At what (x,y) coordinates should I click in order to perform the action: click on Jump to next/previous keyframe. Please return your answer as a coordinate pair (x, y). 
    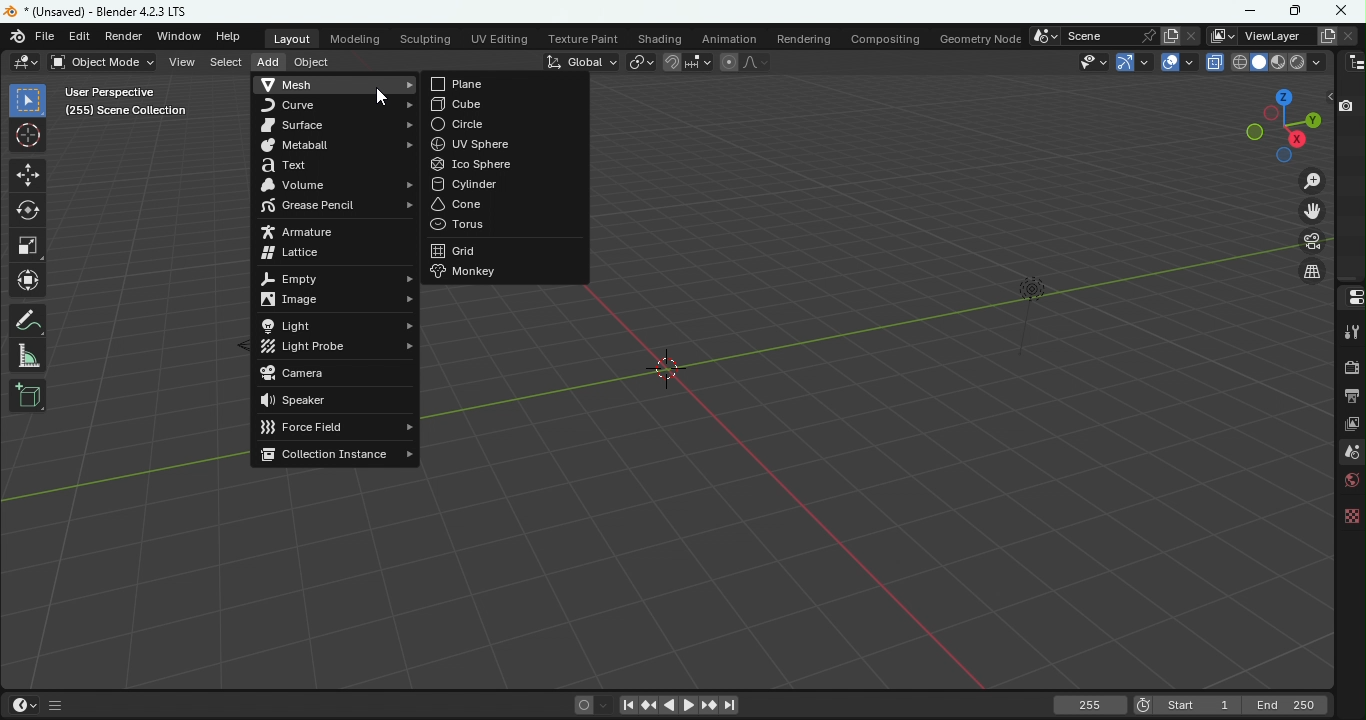
    Looking at the image, I should click on (705, 705).